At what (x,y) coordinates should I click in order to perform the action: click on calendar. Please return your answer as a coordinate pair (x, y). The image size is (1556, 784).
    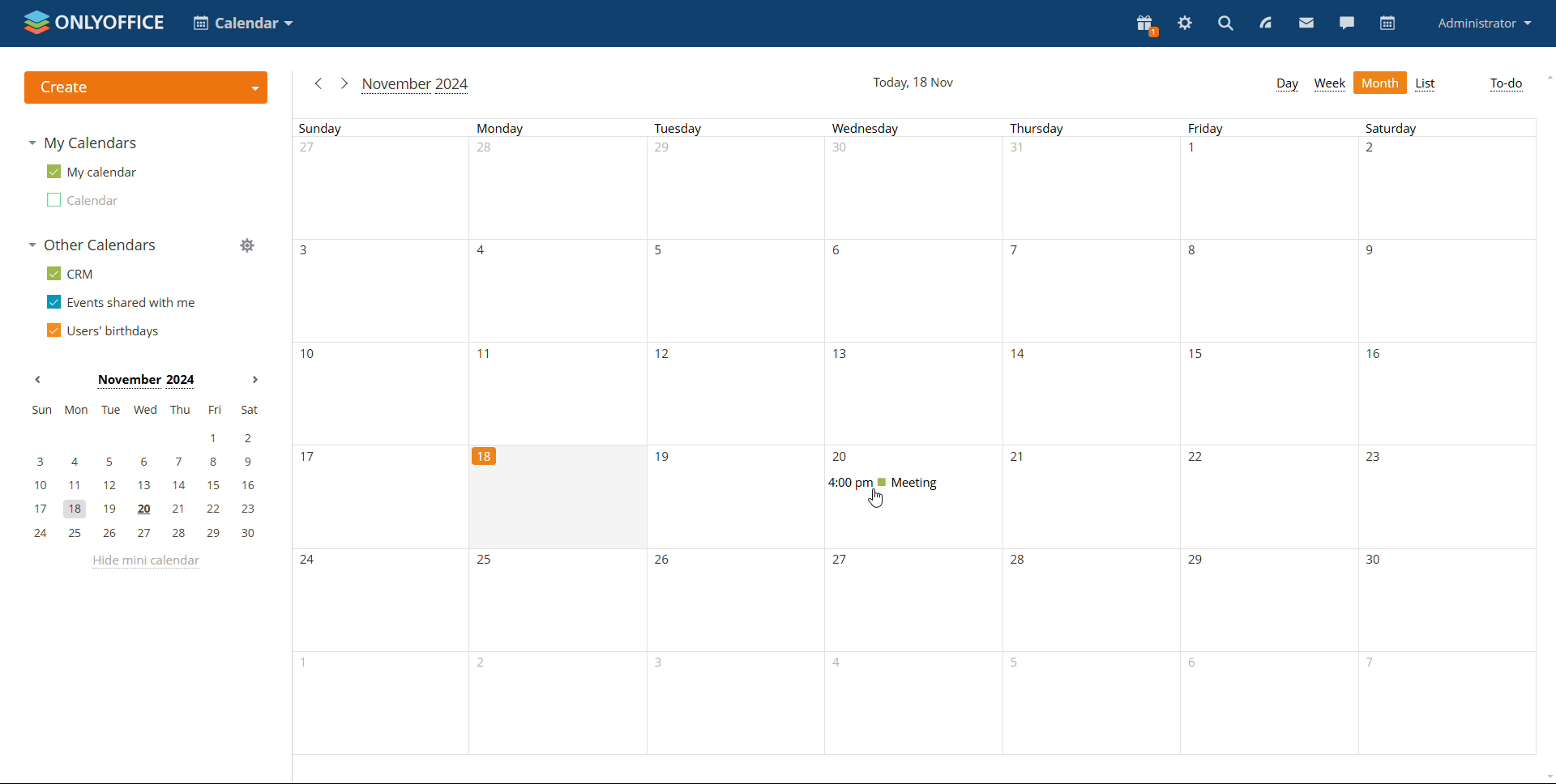
    Looking at the image, I should click on (82, 200).